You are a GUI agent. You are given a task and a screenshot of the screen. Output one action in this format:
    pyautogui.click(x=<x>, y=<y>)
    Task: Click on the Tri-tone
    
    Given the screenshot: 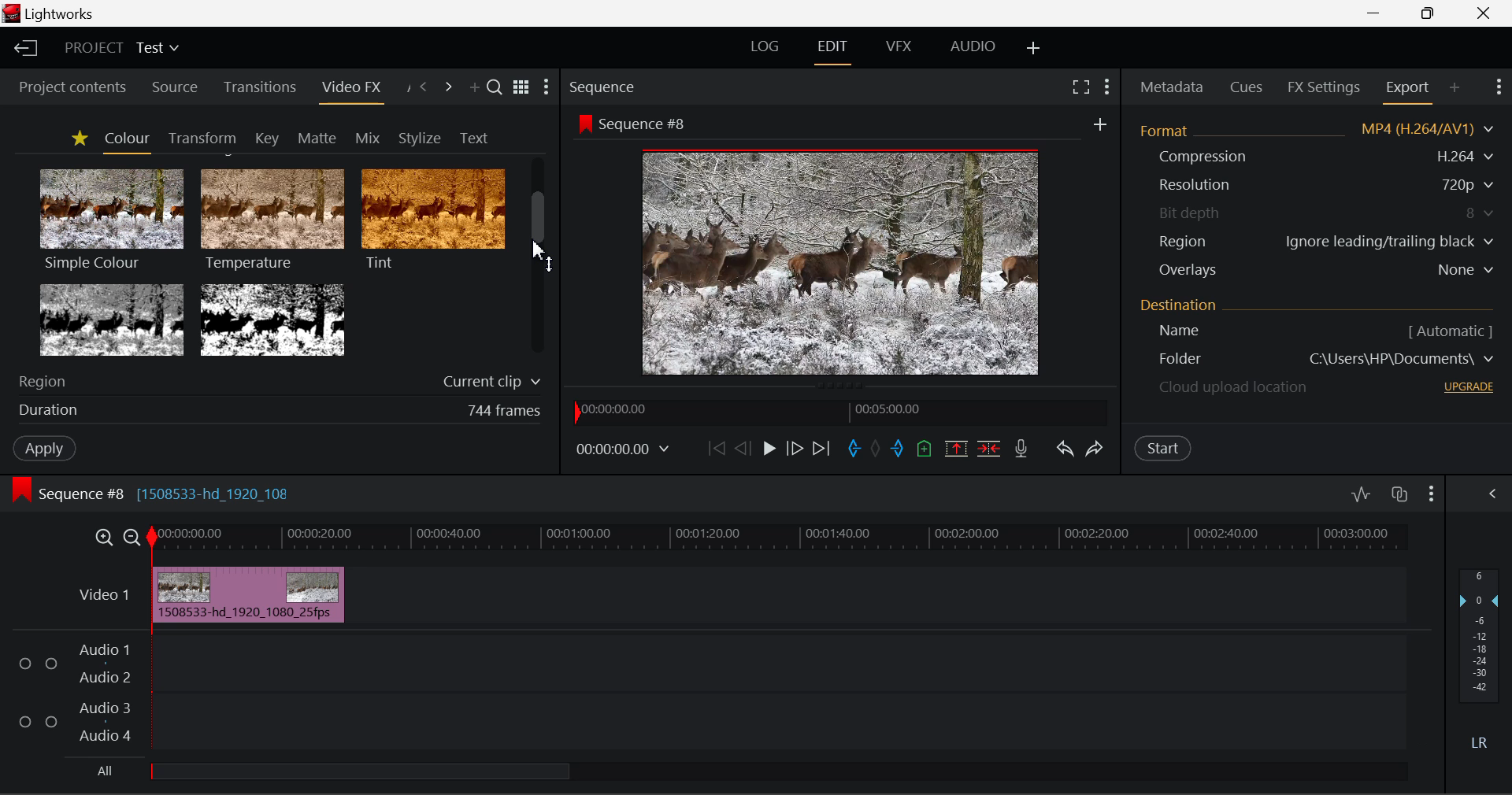 What is the action you would take?
    pyautogui.click(x=113, y=319)
    